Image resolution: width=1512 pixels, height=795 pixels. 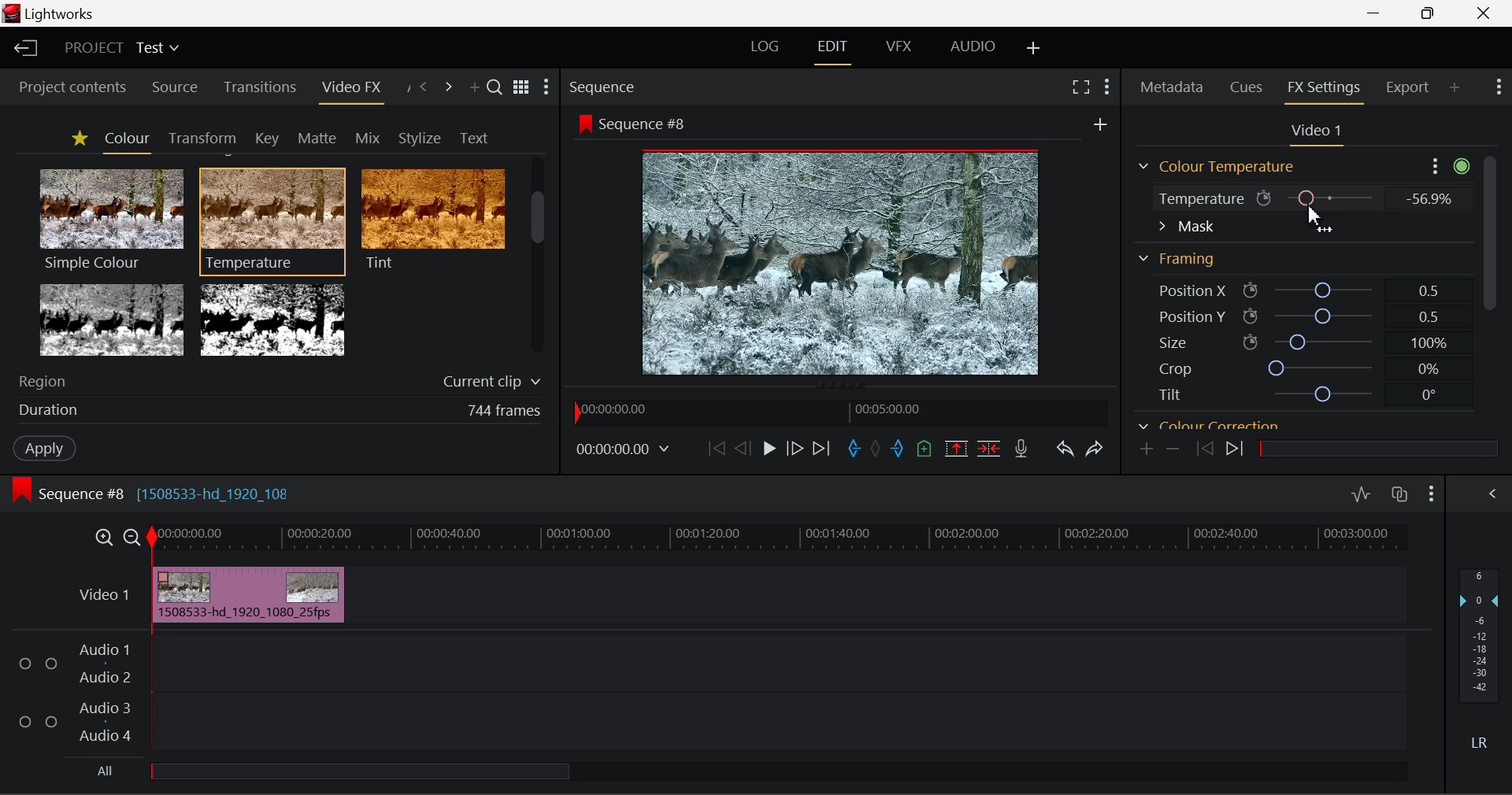 I want to click on crop, so click(x=1323, y=367).